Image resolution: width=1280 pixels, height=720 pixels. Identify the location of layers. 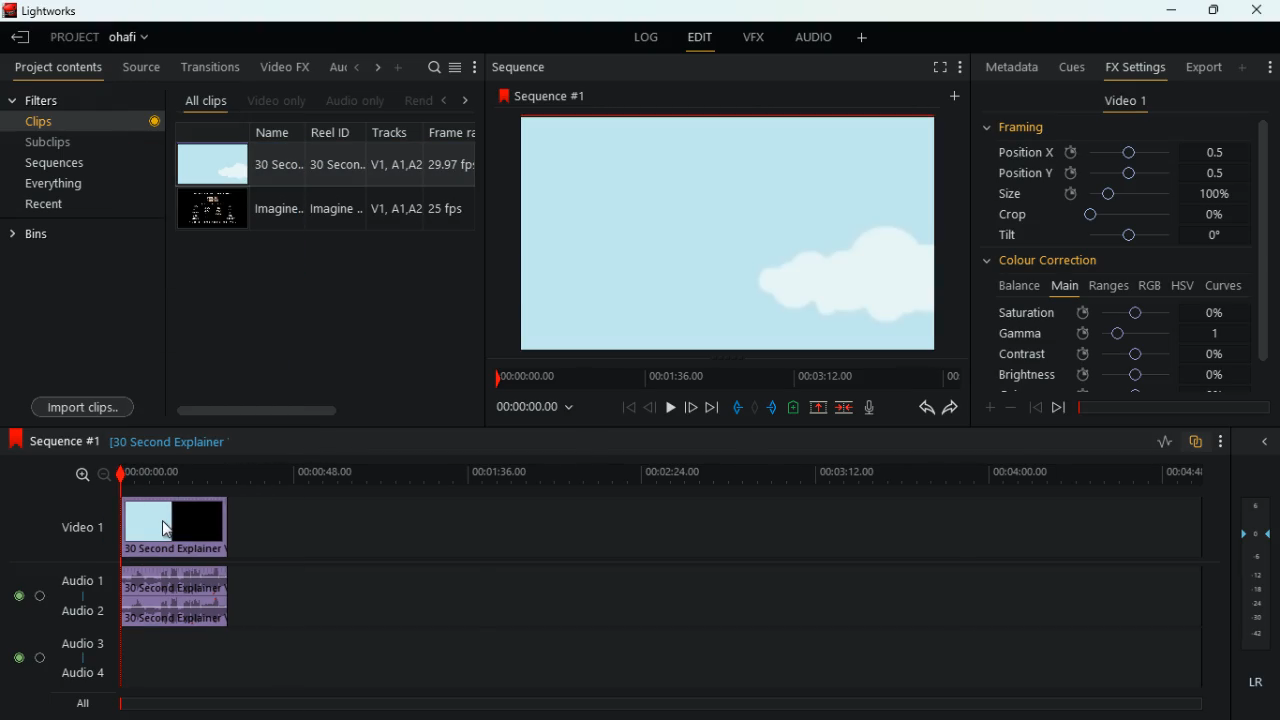
(1253, 570).